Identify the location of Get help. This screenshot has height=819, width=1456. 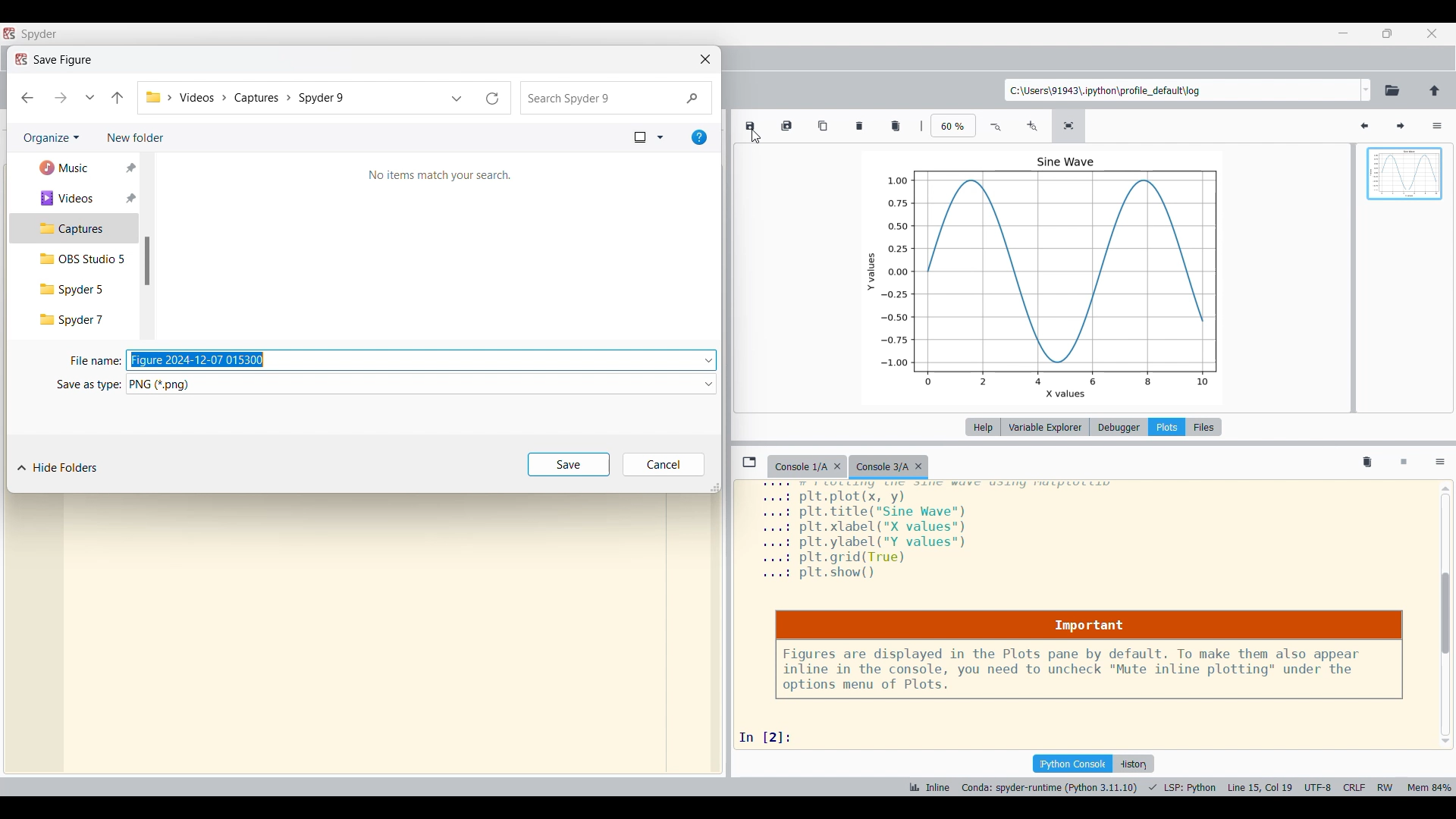
(699, 138).